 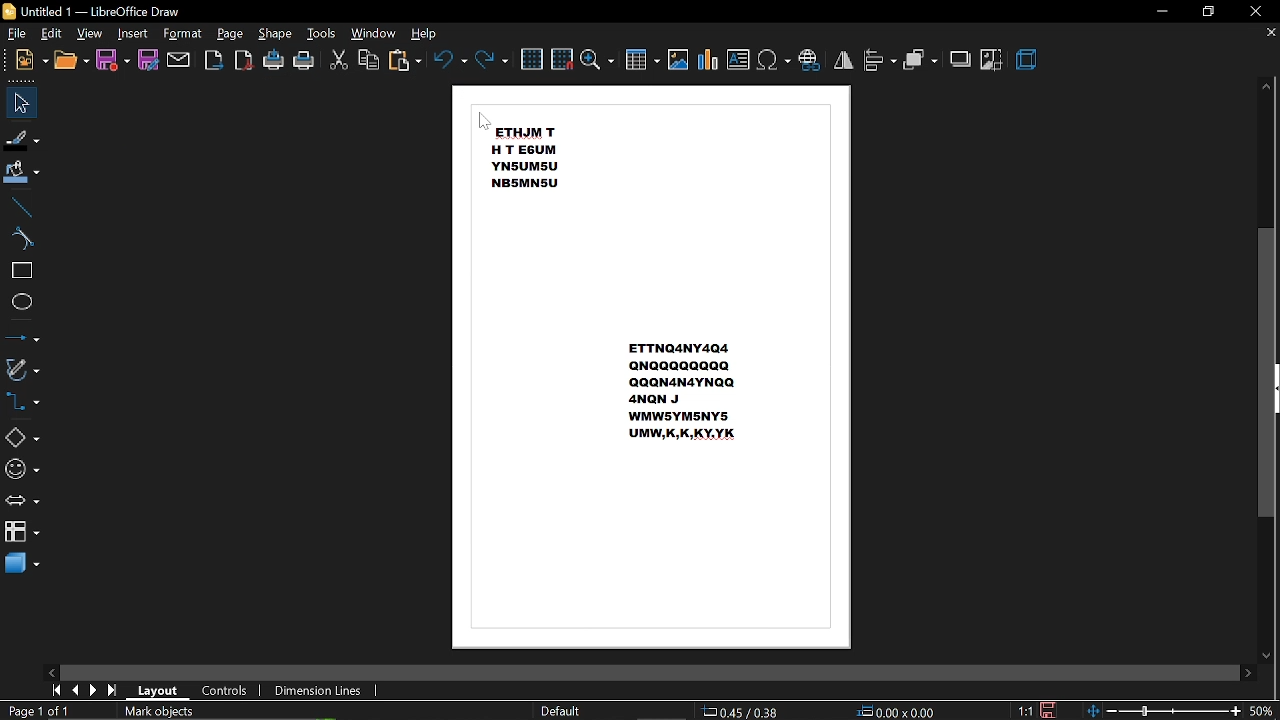 I want to click on 3d effect, so click(x=1029, y=61).